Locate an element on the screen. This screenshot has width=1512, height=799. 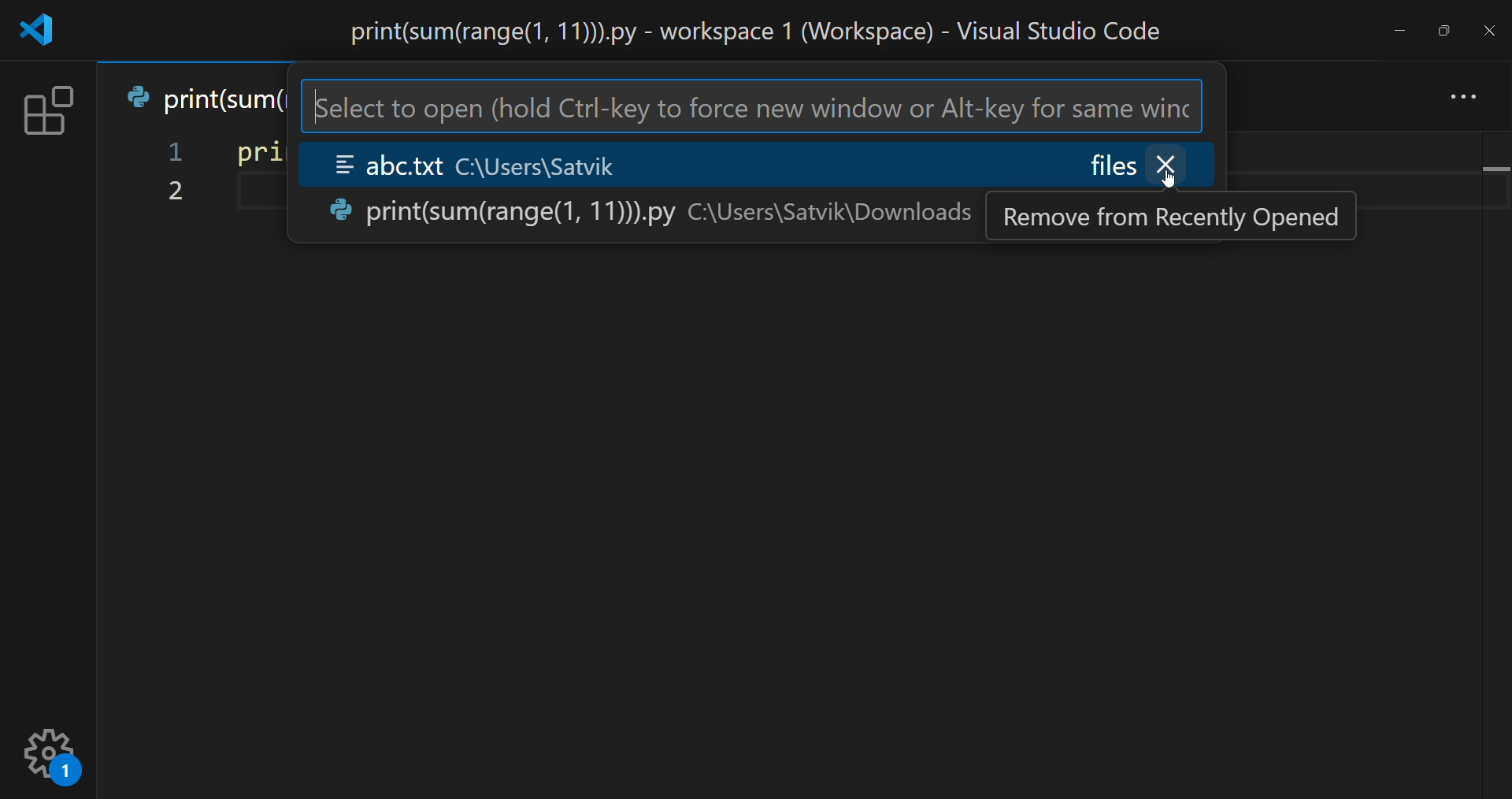
settings is located at coordinates (53, 751).